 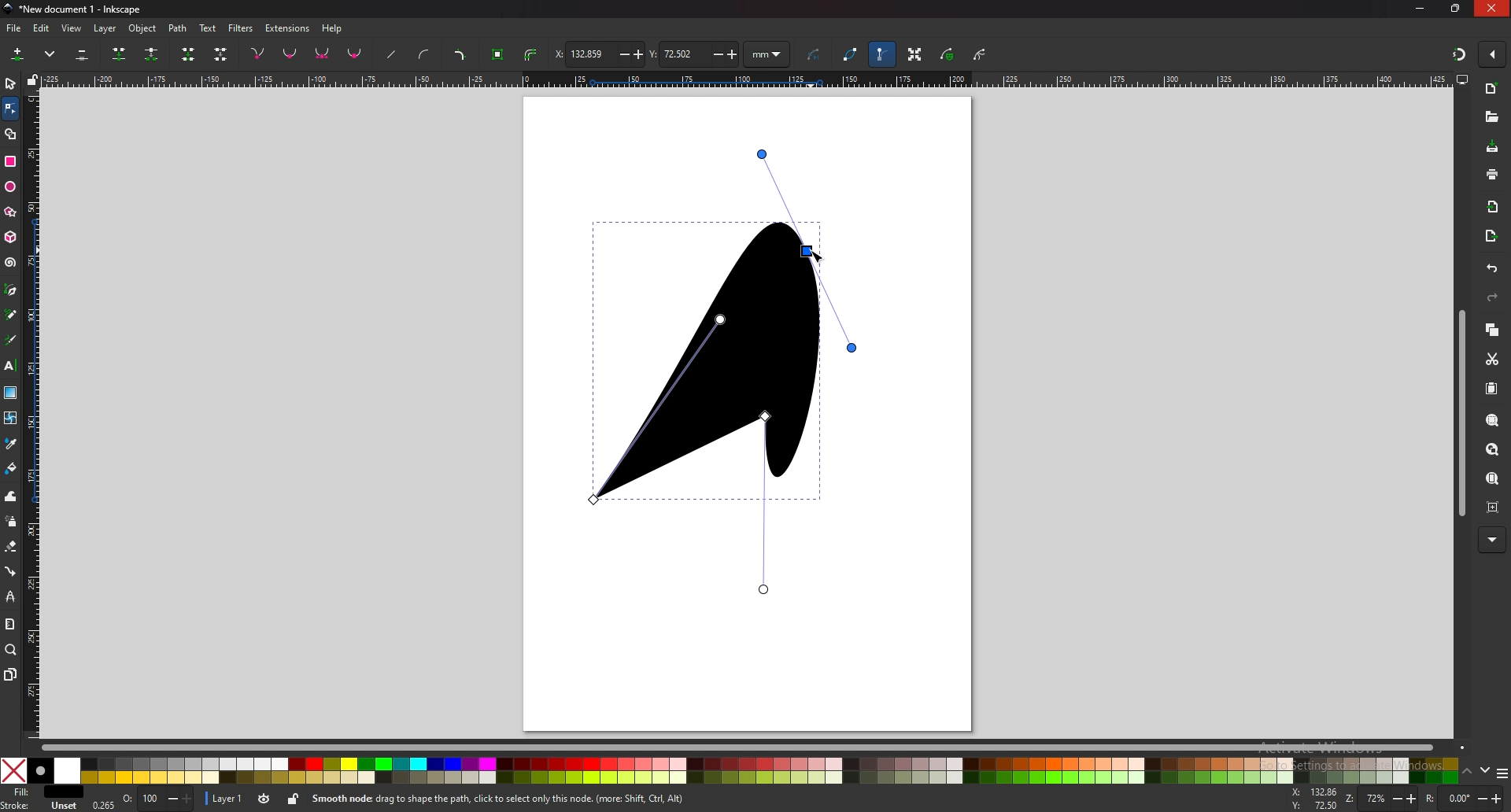 I want to click on toggle visibility, so click(x=265, y=799).